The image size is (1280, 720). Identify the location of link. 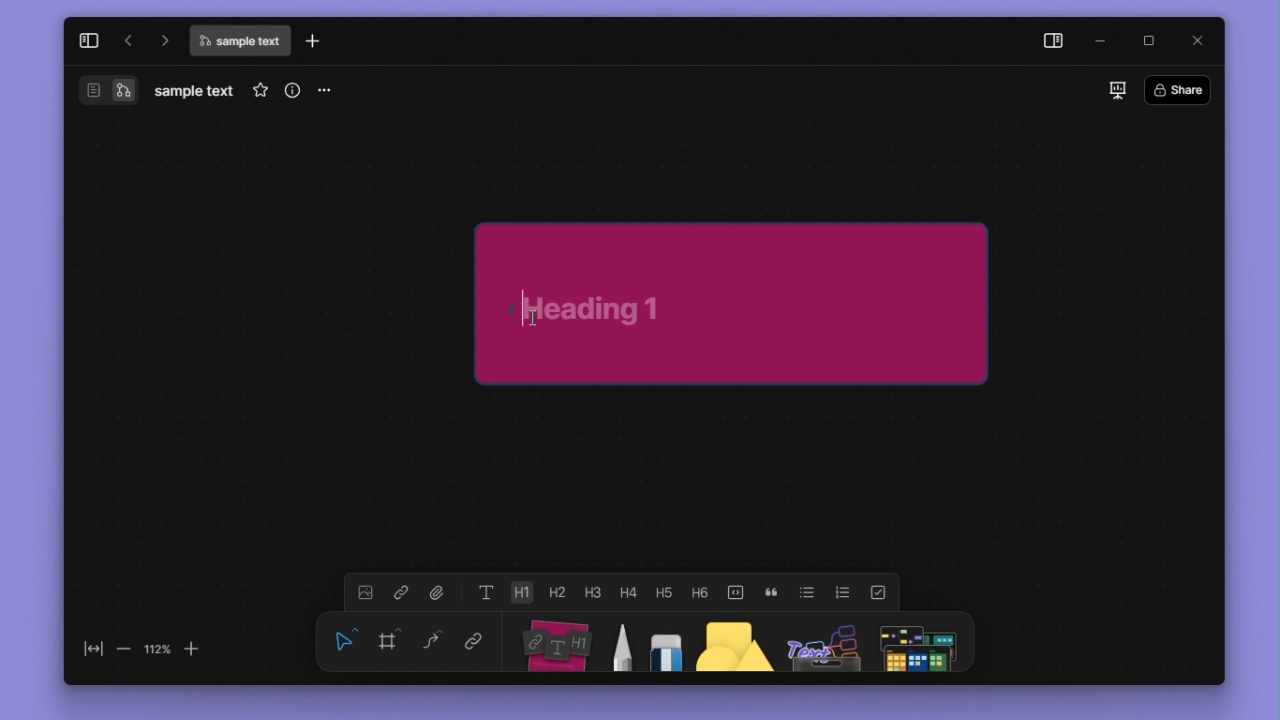
(401, 592).